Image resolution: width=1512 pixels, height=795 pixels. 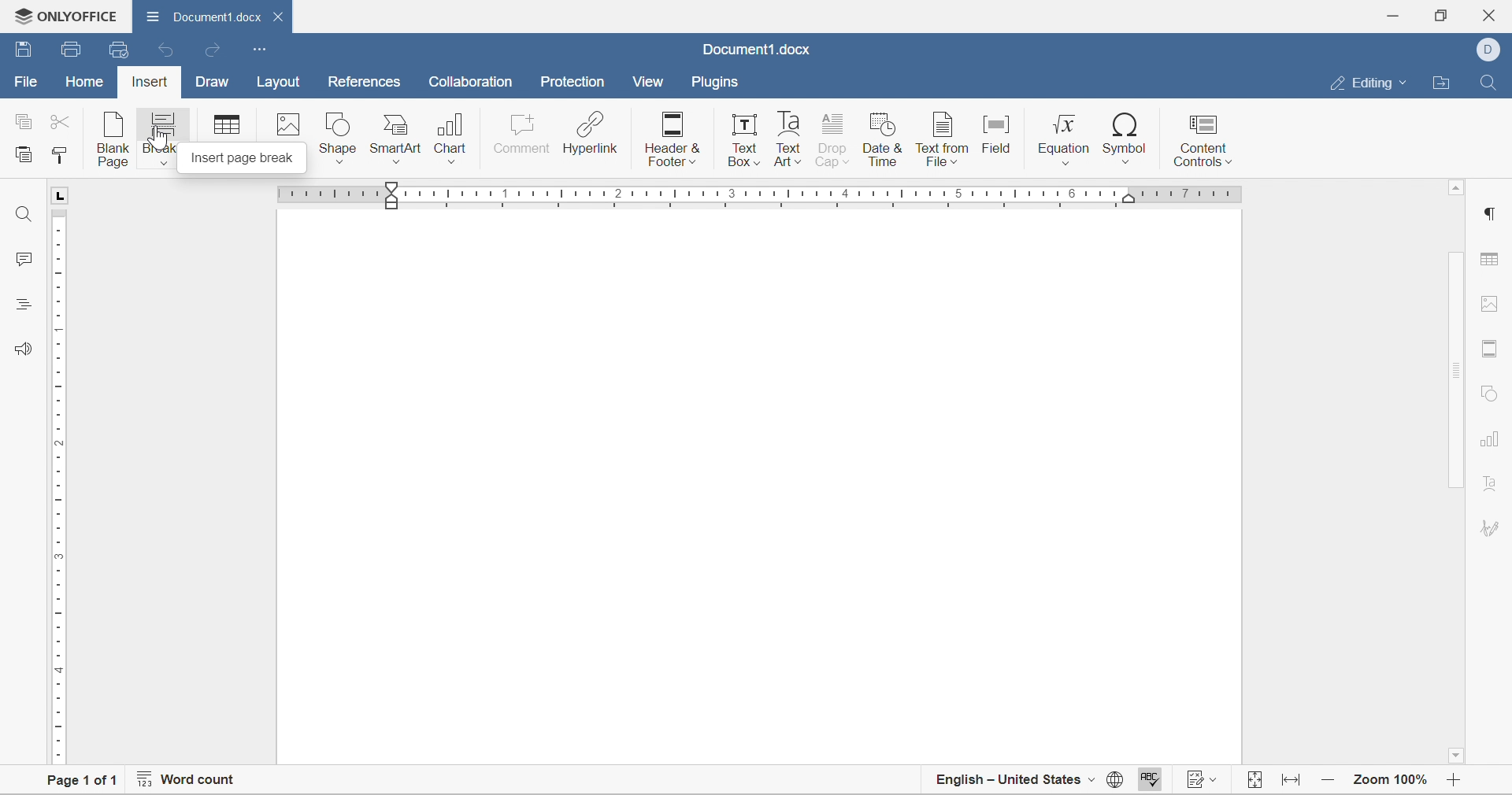 I want to click on Text art, so click(x=788, y=139).